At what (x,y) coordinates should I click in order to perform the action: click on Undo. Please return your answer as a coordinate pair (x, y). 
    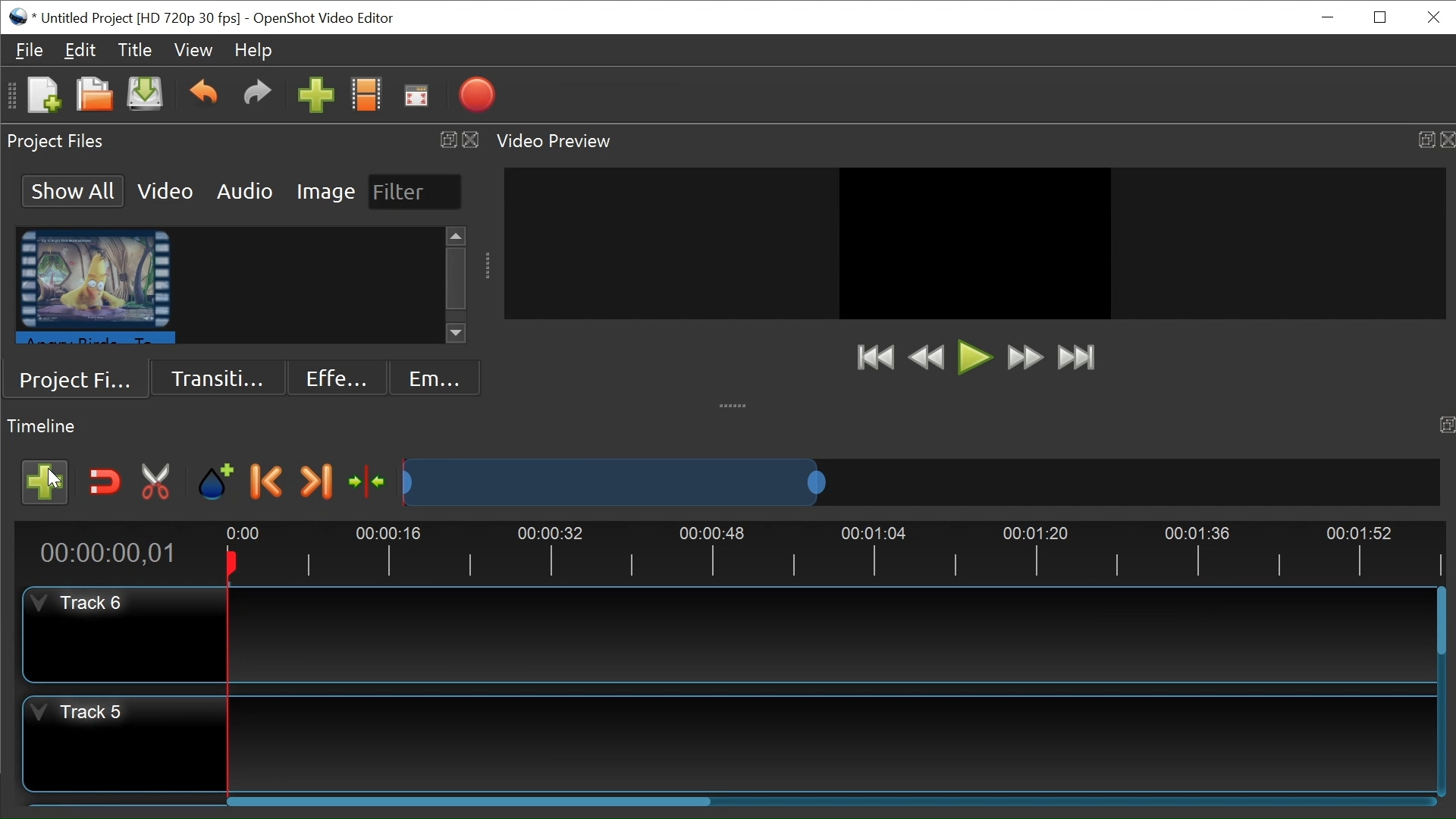
    Looking at the image, I should click on (202, 95).